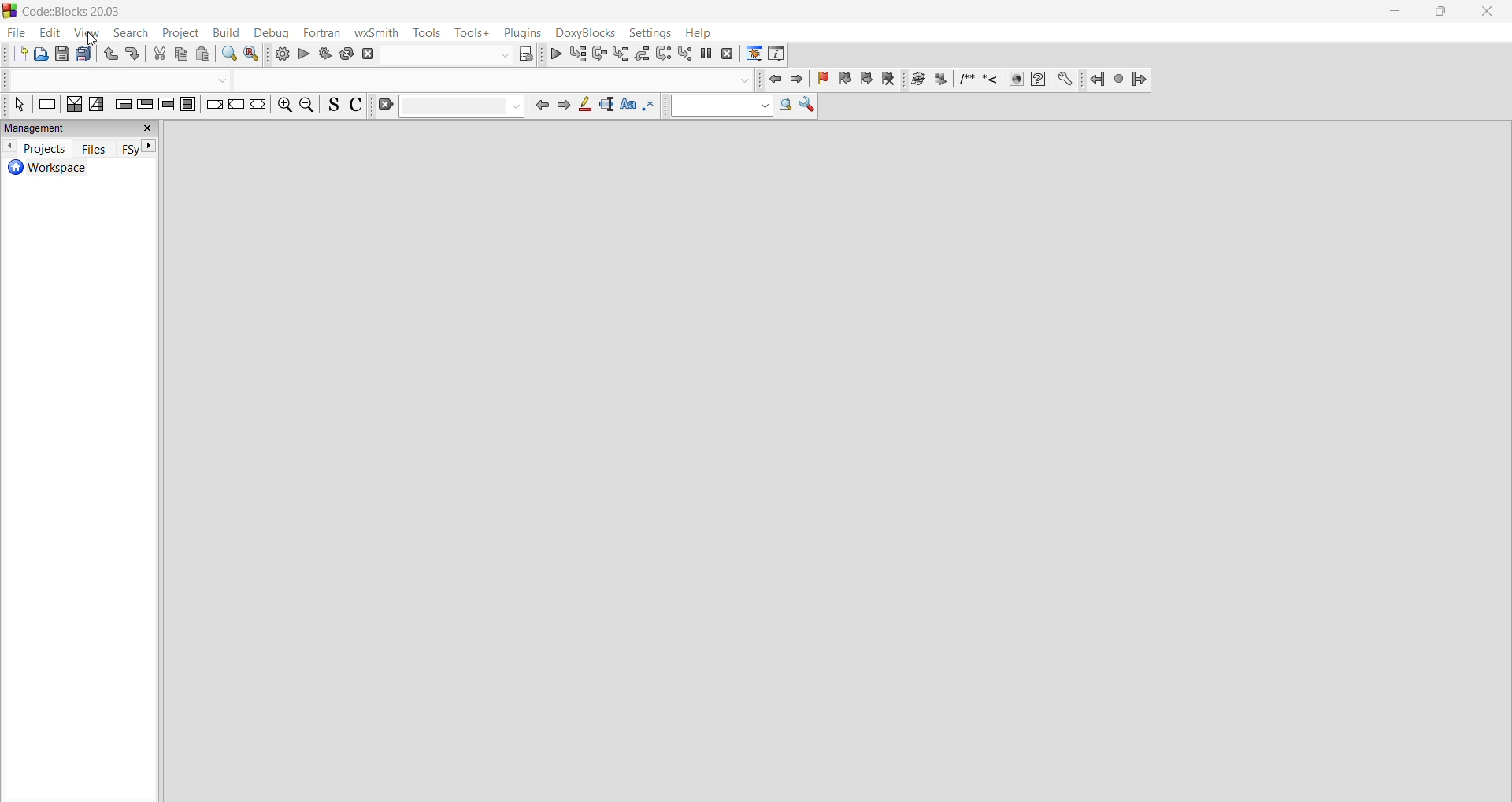 This screenshot has width=1512, height=802. Describe the element at coordinates (720, 106) in the screenshot. I see `text to search` at that location.